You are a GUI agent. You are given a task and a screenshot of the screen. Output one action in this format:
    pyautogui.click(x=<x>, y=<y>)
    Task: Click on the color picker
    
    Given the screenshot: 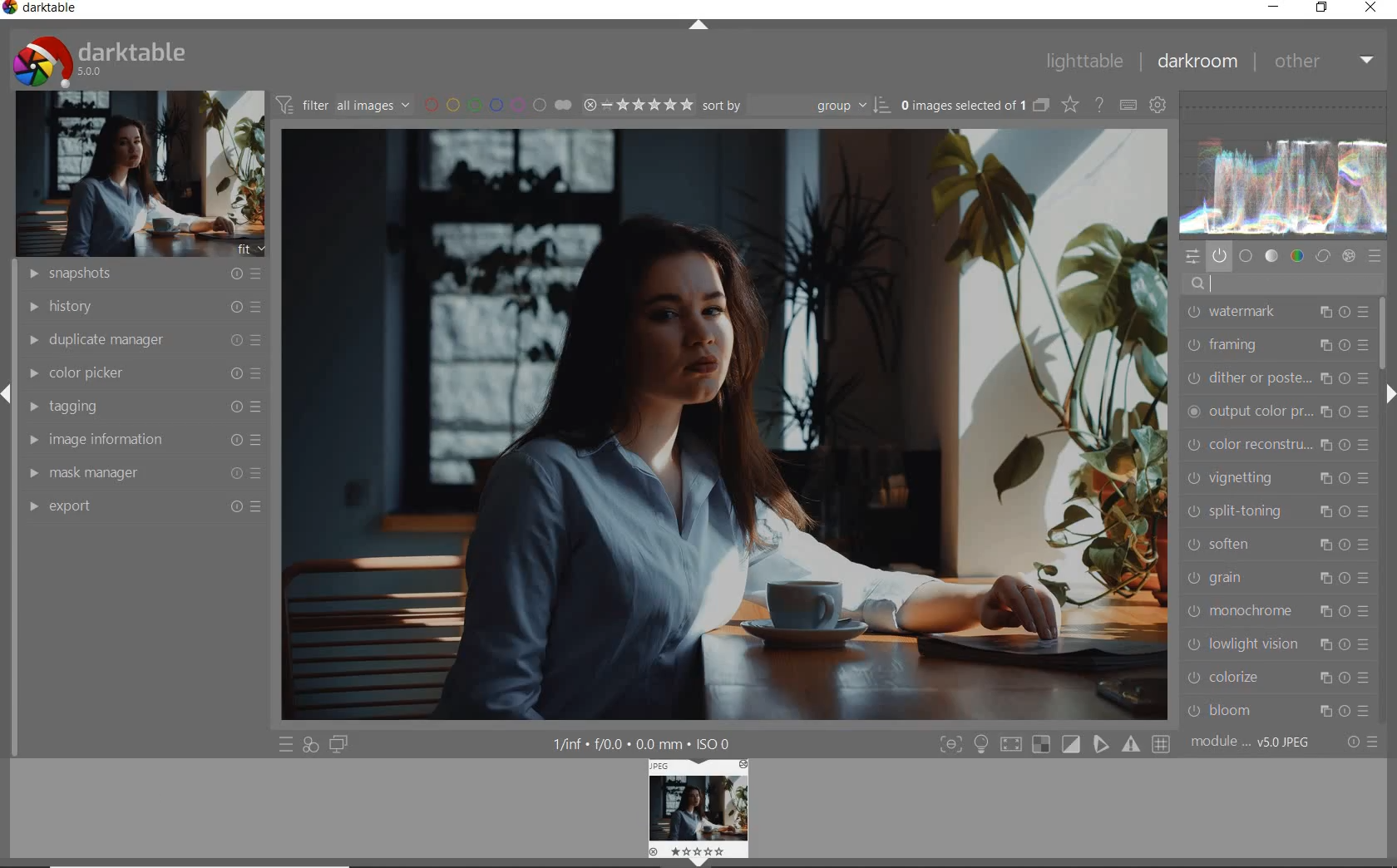 What is the action you would take?
    pyautogui.click(x=143, y=373)
    